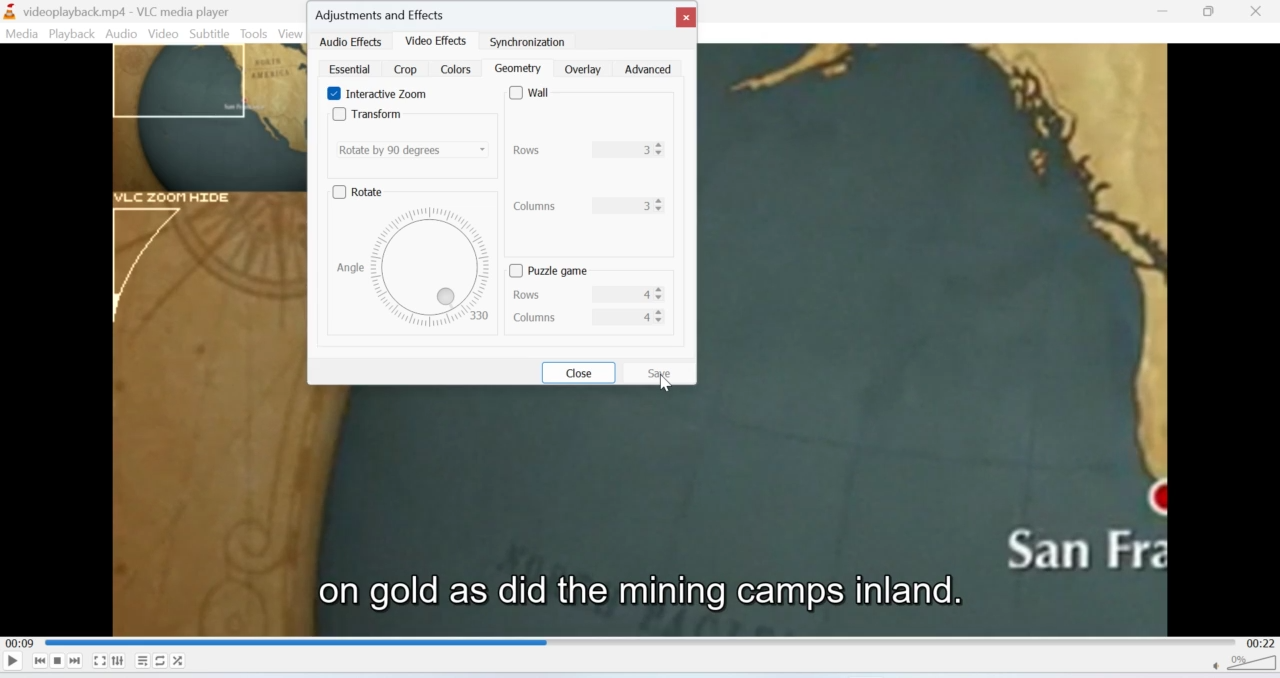 This screenshot has height=678, width=1280. Describe the element at coordinates (556, 271) in the screenshot. I see `puzzle game` at that location.